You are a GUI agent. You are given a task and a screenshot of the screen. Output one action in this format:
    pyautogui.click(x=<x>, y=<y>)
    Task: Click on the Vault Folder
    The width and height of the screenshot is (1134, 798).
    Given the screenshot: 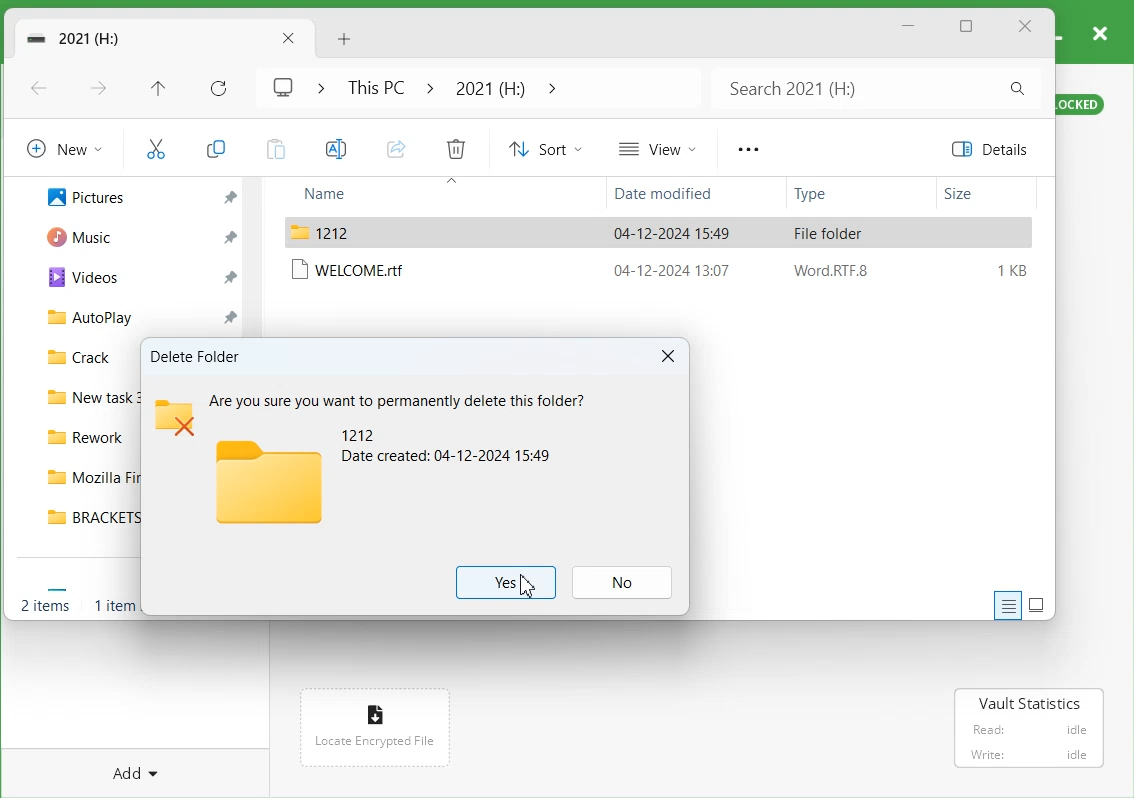 What is the action you would take?
    pyautogui.click(x=129, y=39)
    